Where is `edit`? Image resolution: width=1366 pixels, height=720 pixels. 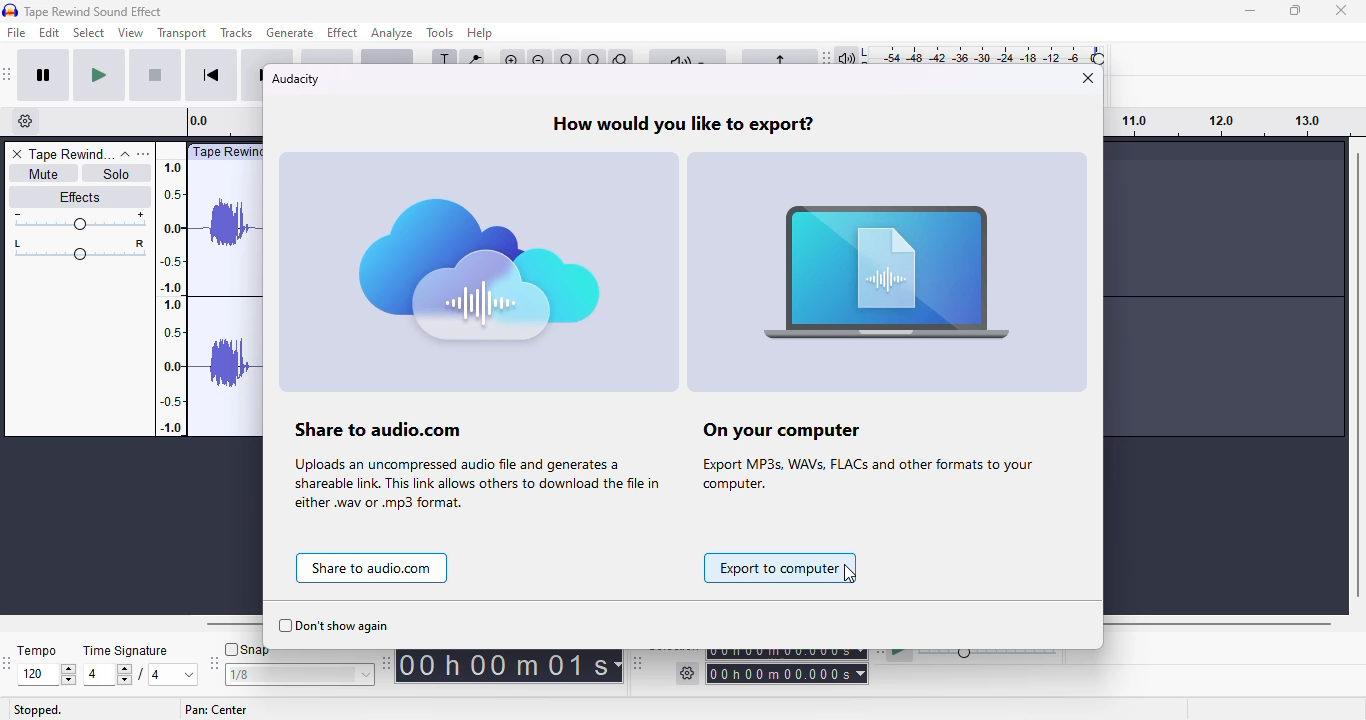
edit is located at coordinates (50, 32).